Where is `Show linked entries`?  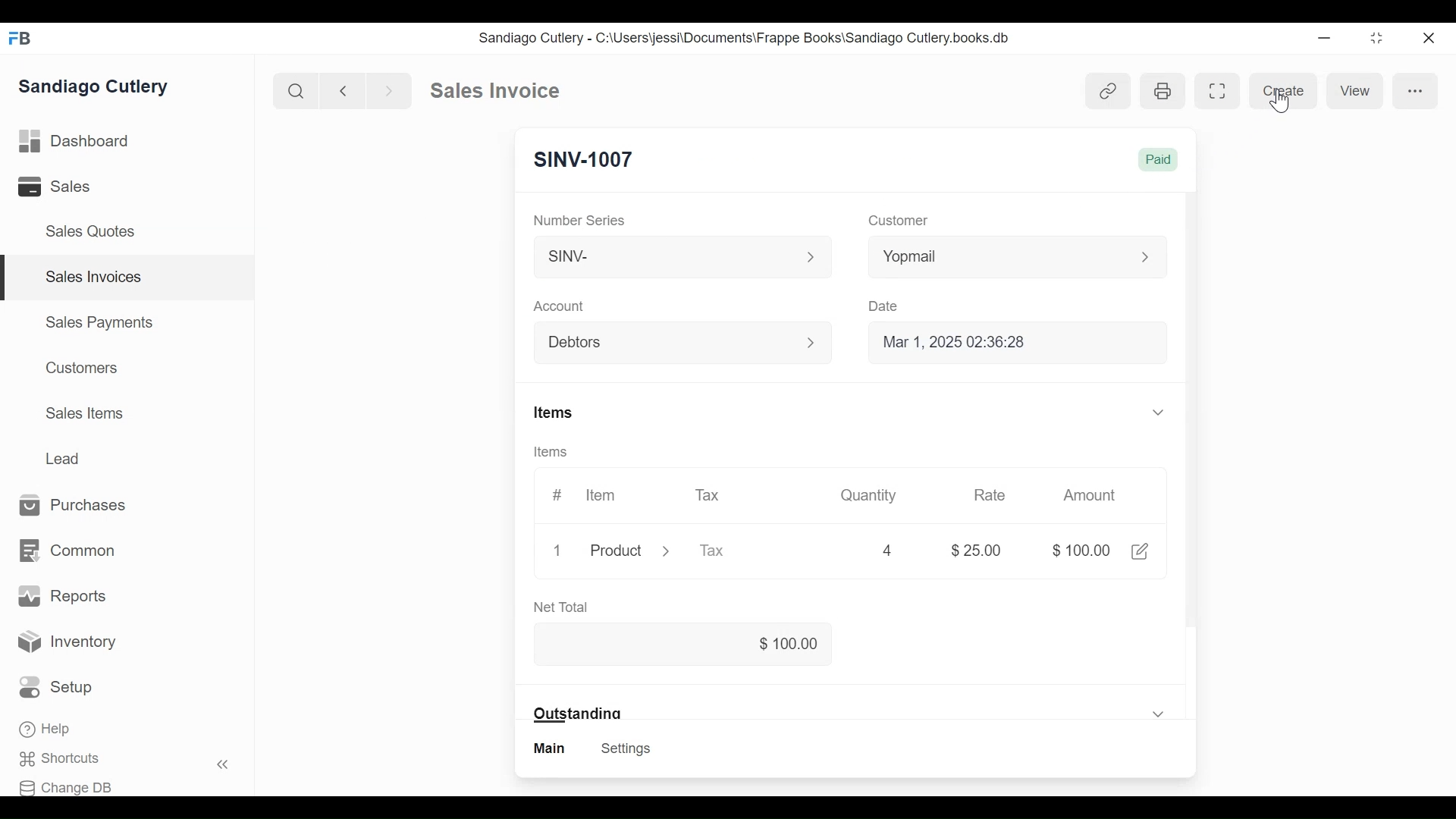
Show linked entries is located at coordinates (1109, 89).